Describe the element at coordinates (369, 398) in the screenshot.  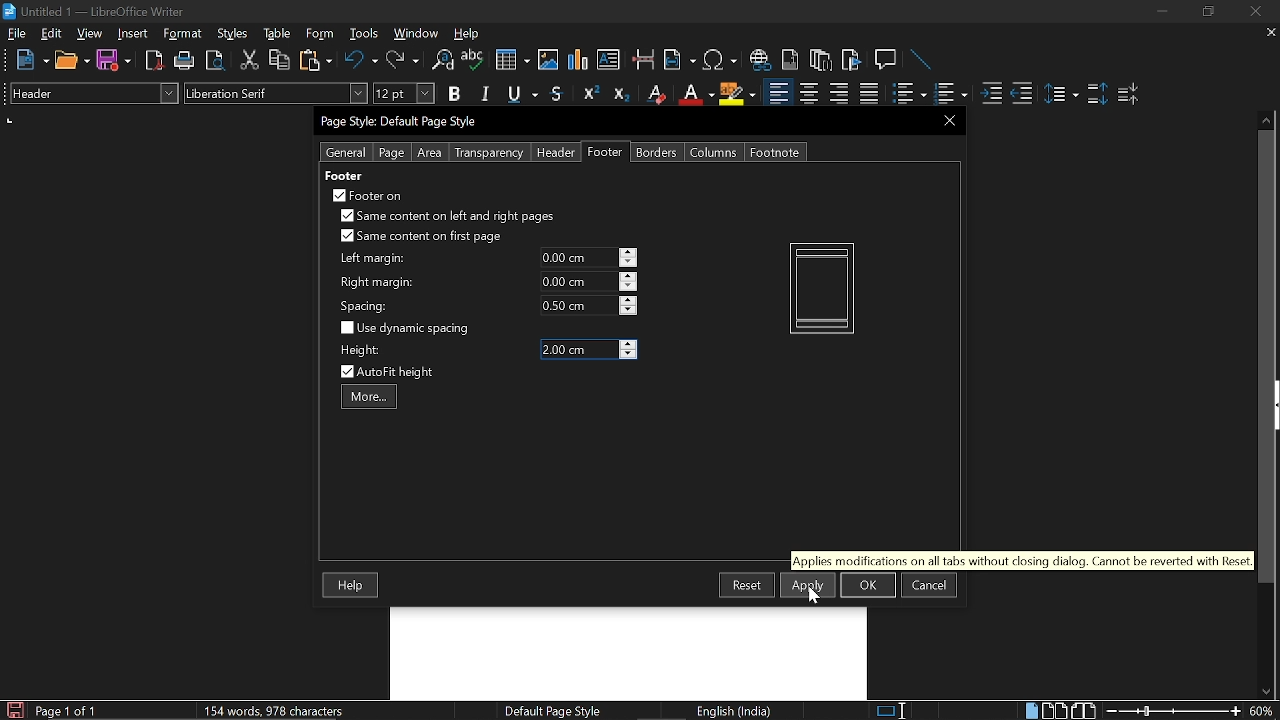
I see `more` at that location.